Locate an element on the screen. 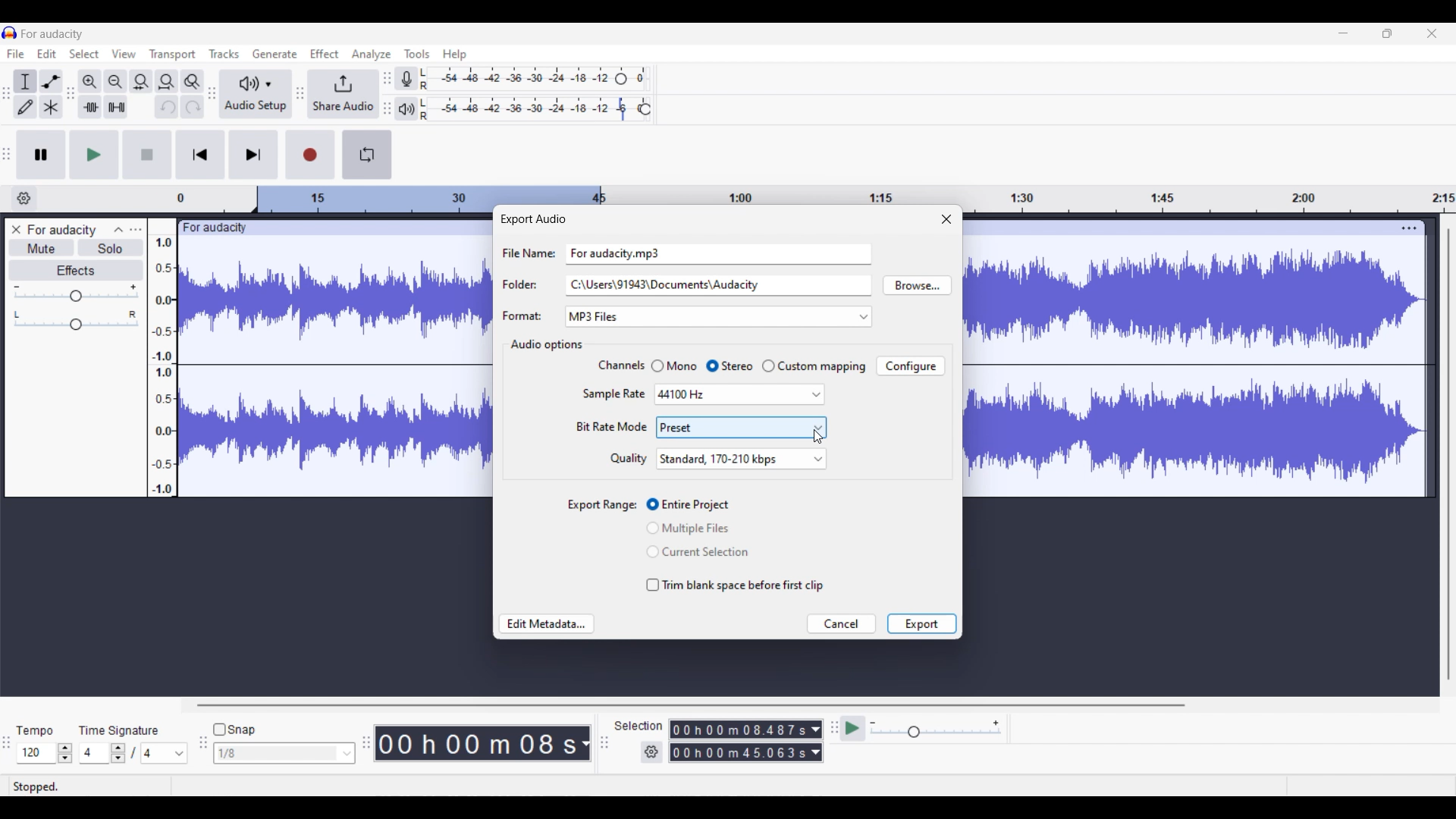  Silence audio selection is located at coordinates (117, 107).